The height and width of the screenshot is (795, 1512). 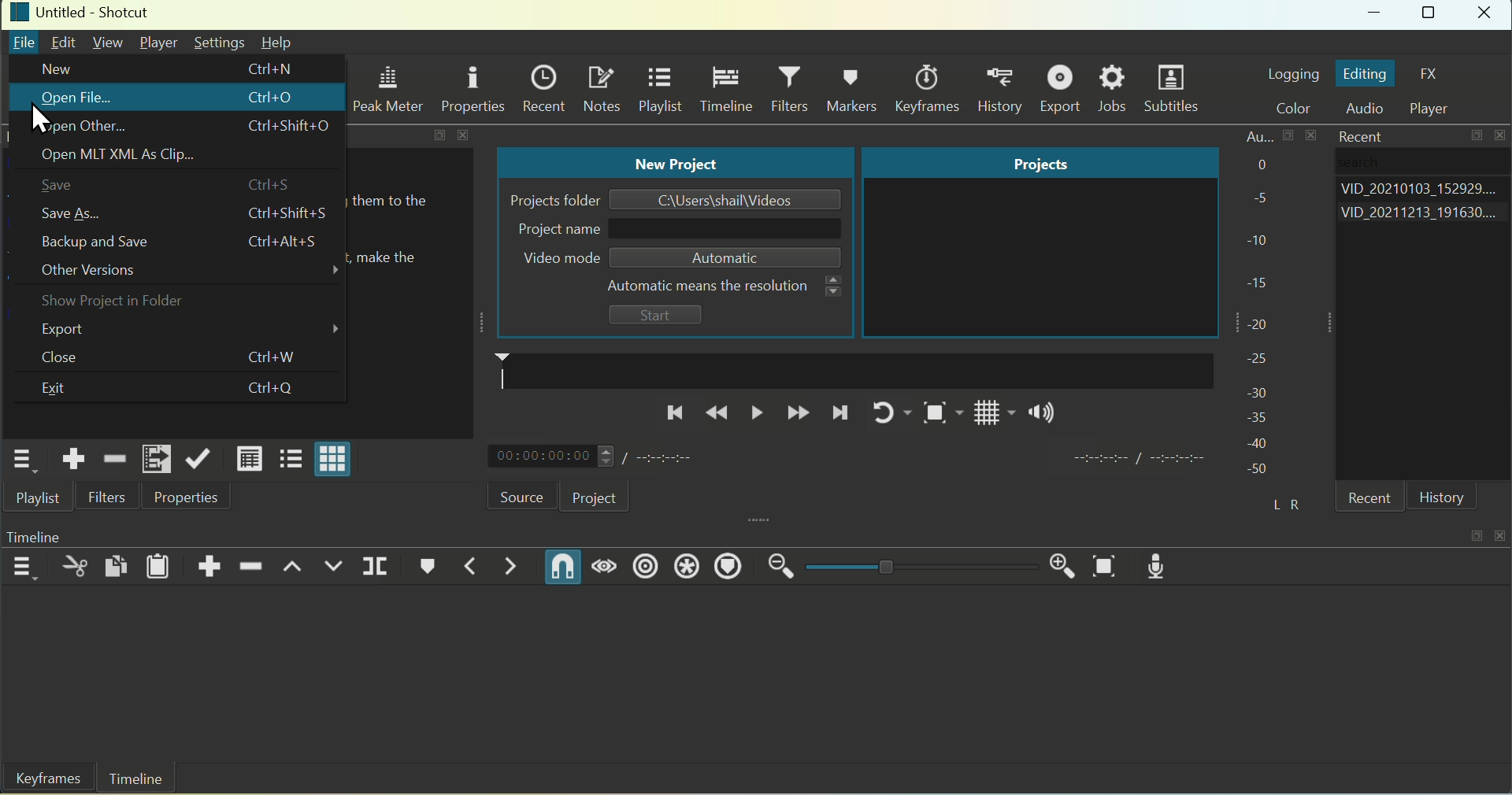 What do you see at coordinates (75, 568) in the screenshot?
I see `Cut` at bounding box center [75, 568].